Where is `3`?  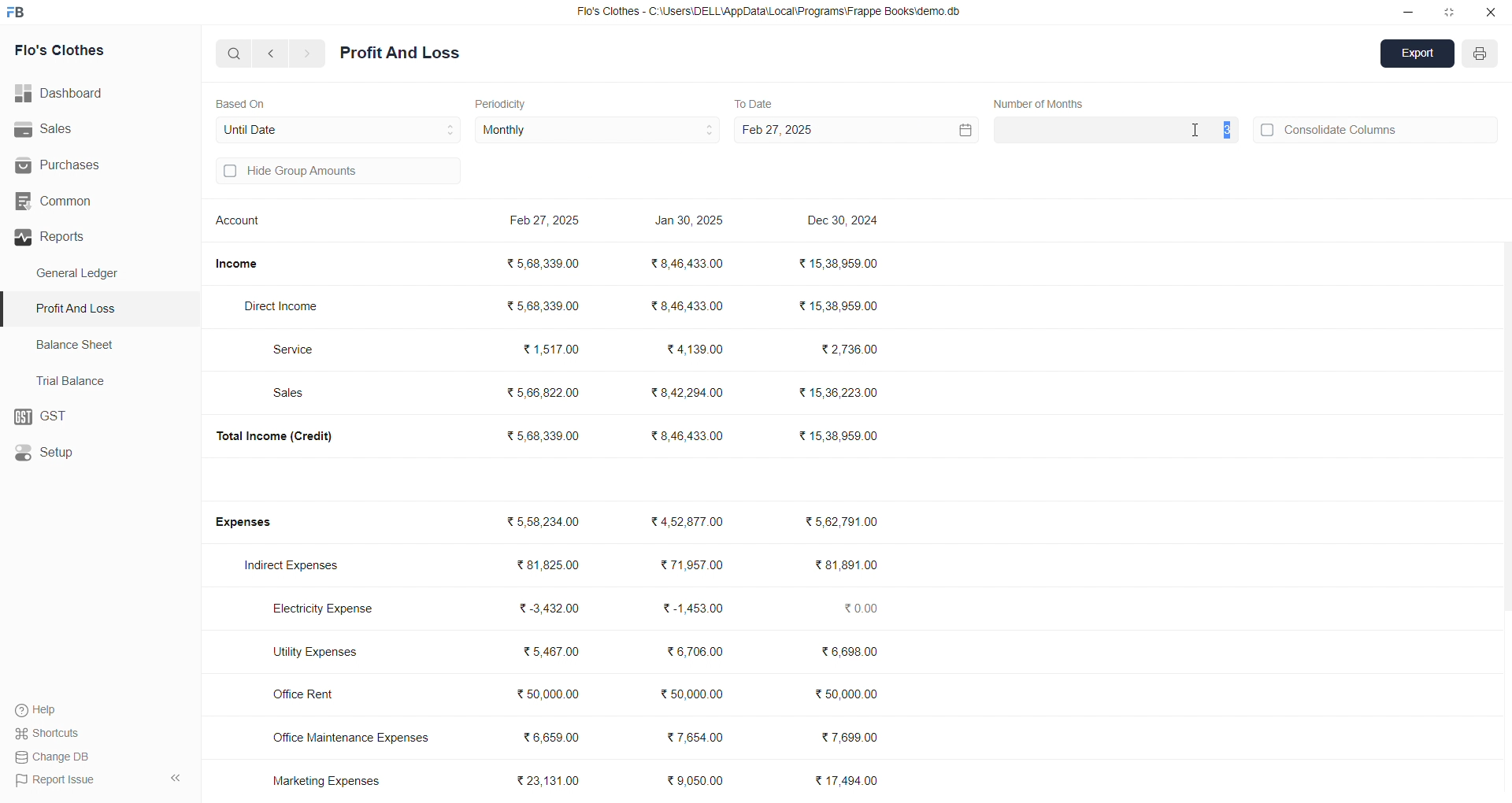 3 is located at coordinates (1114, 130).